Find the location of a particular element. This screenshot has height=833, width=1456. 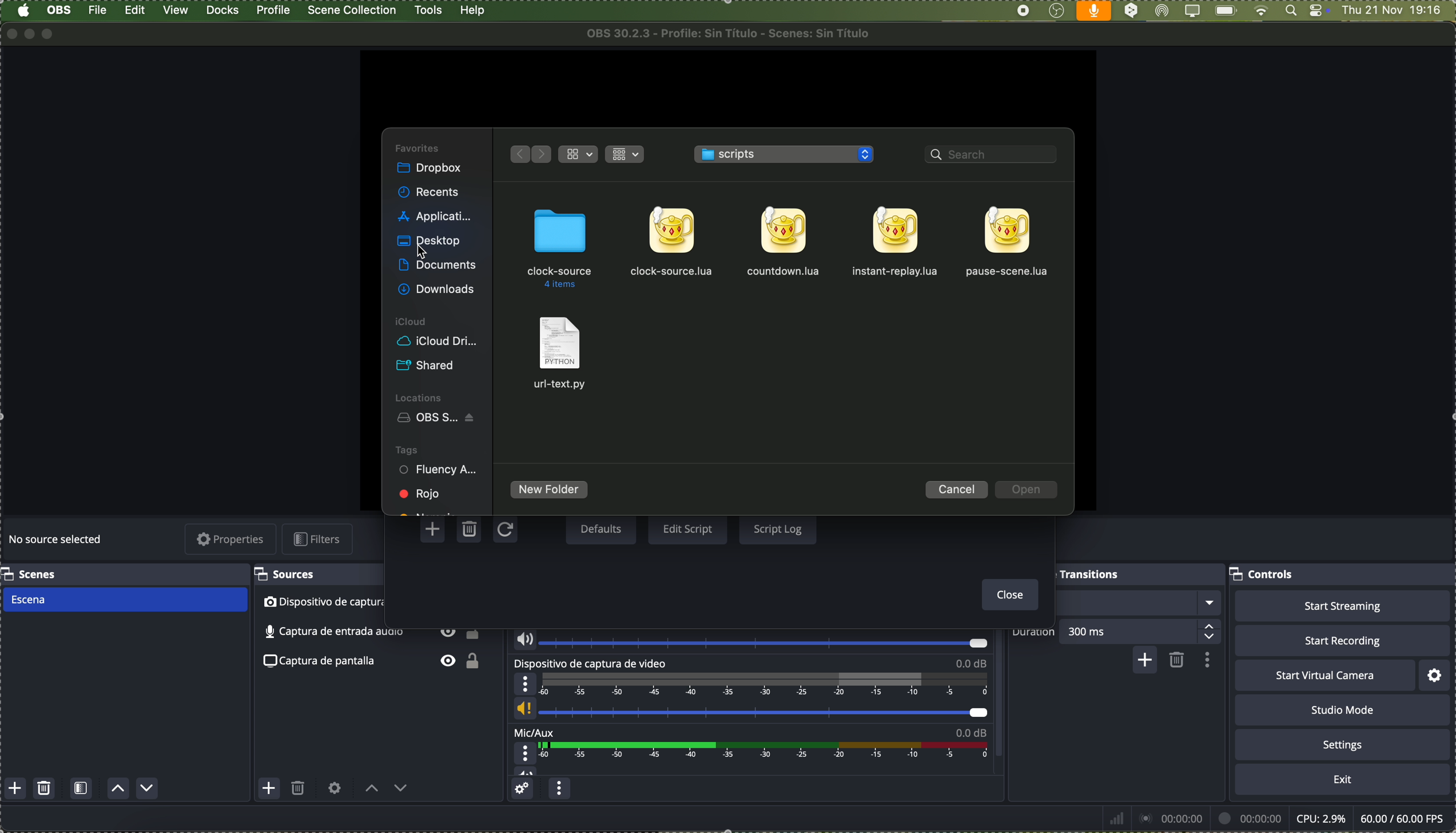

shared is located at coordinates (428, 366).